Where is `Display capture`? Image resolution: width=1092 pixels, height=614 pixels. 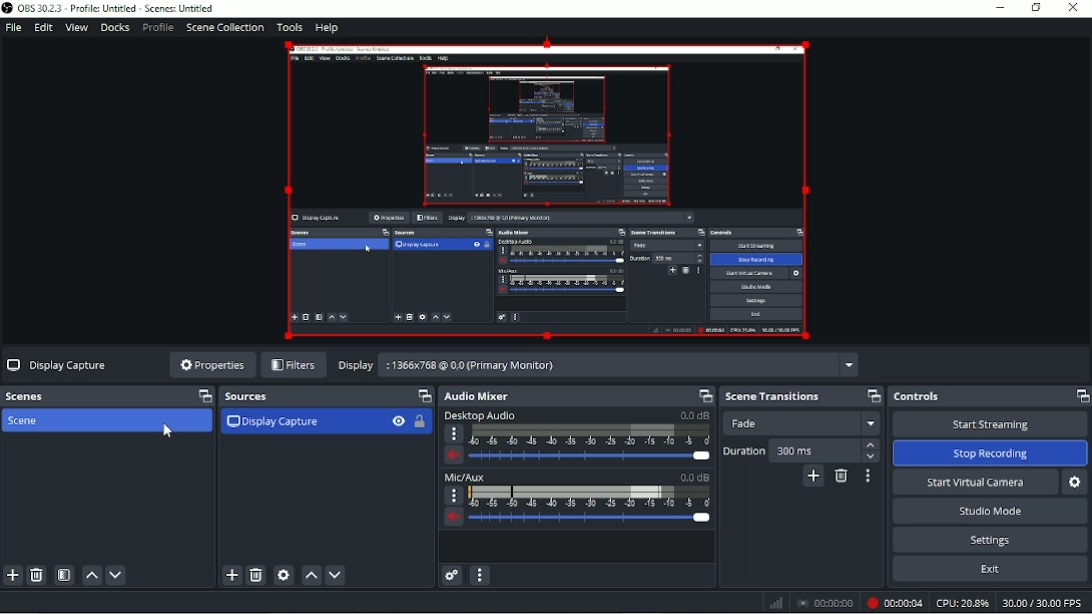
Display capture is located at coordinates (273, 423).